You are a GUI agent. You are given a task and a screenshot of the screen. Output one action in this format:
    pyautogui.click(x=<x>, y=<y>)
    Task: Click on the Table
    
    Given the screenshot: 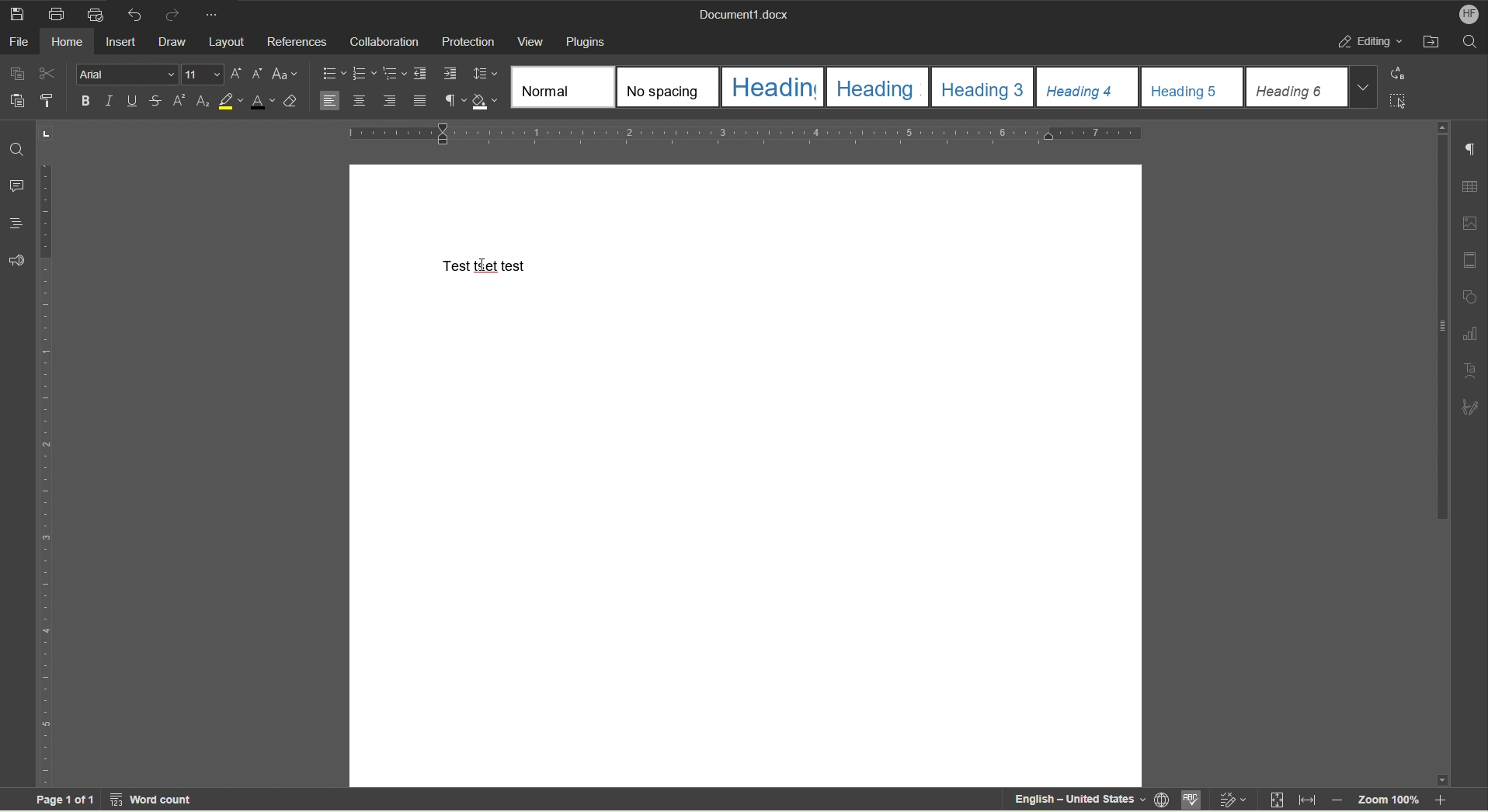 What is the action you would take?
    pyautogui.click(x=1469, y=188)
    